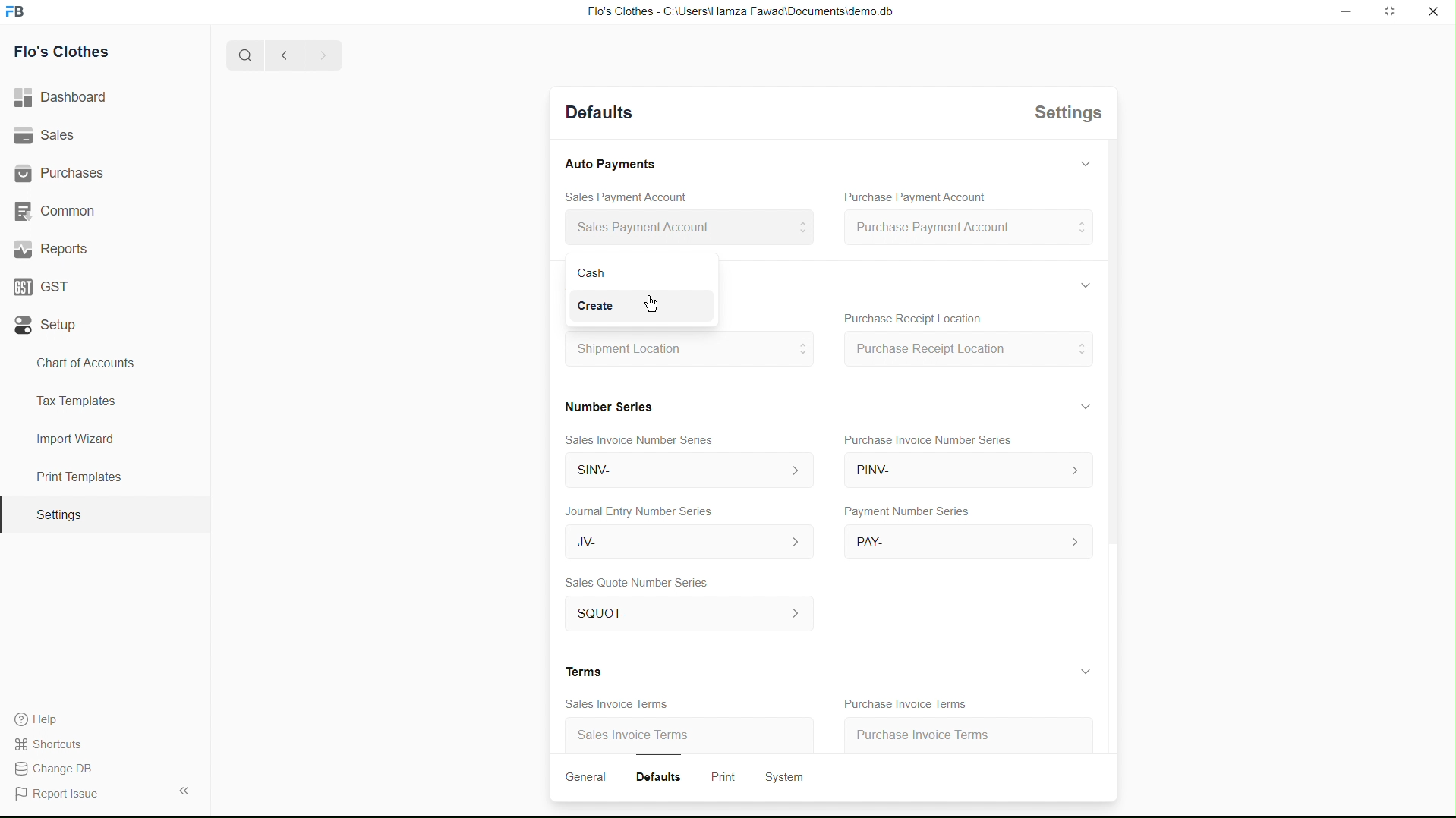 This screenshot has width=1456, height=818. I want to click on SQuOT- >, so click(686, 615).